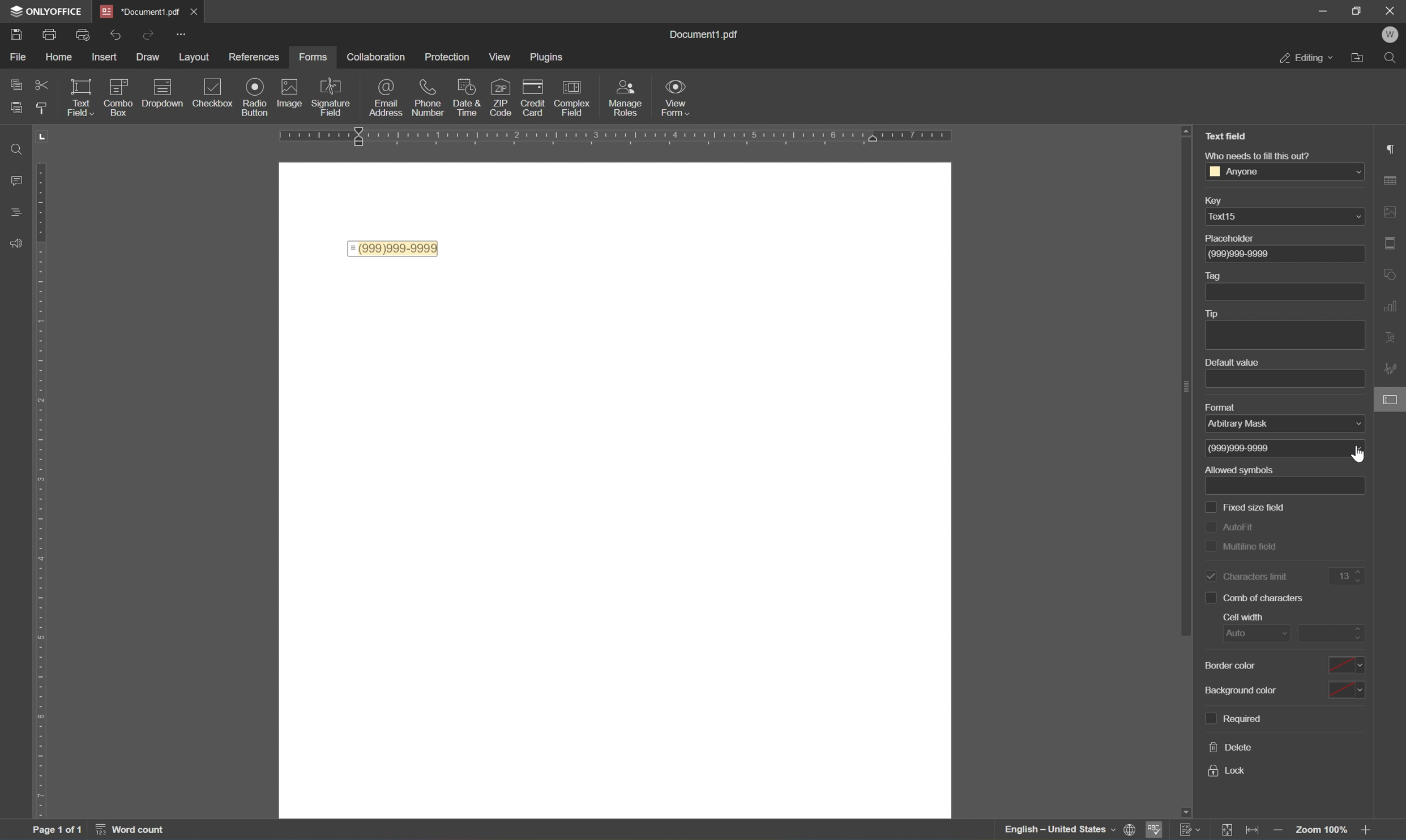 This screenshot has width=1406, height=840. What do you see at coordinates (20, 58) in the screenshot?
I see `file` at bounding box center [20, 58].